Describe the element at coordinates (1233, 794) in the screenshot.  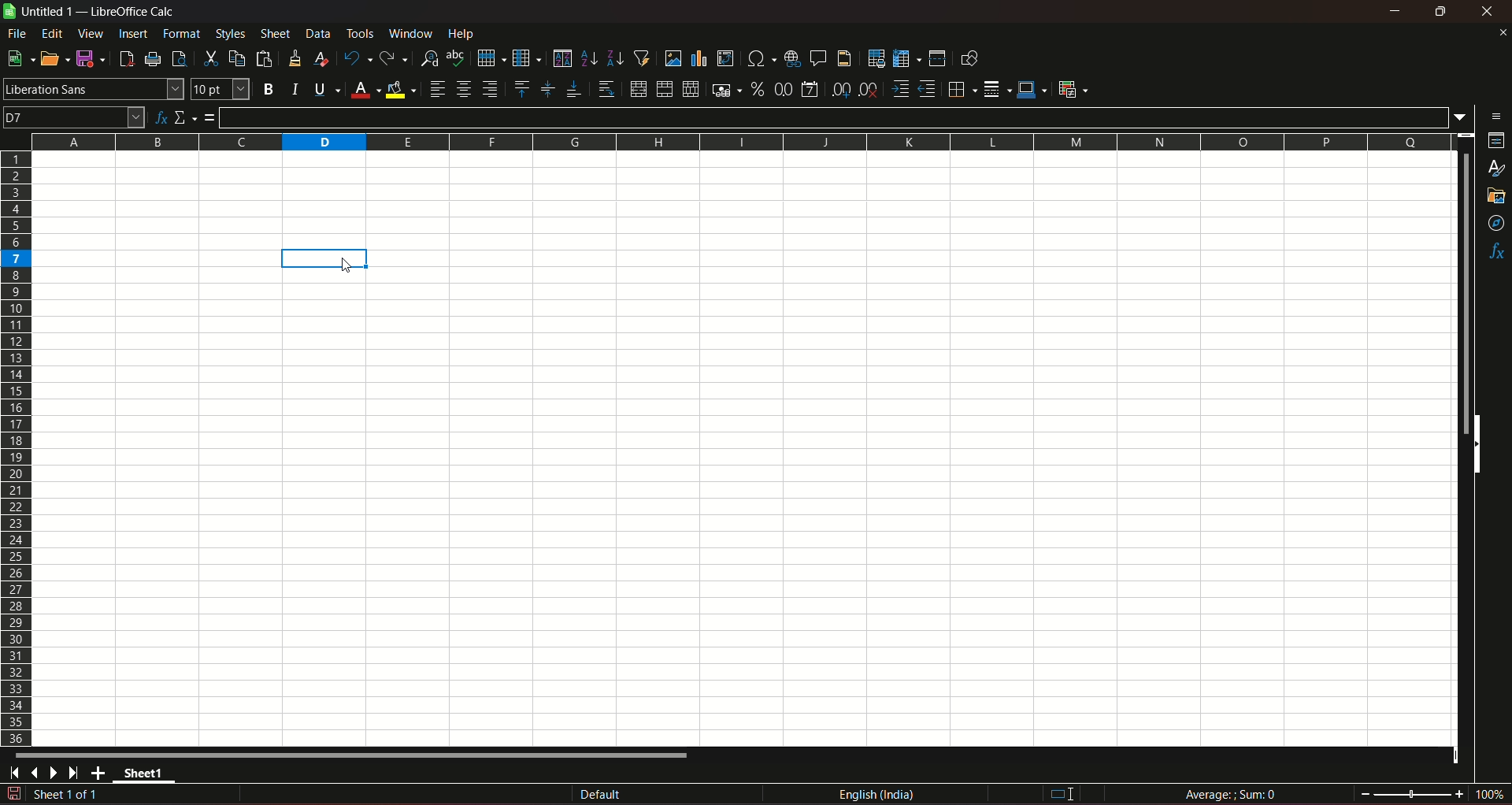
I see `formula` at that location.